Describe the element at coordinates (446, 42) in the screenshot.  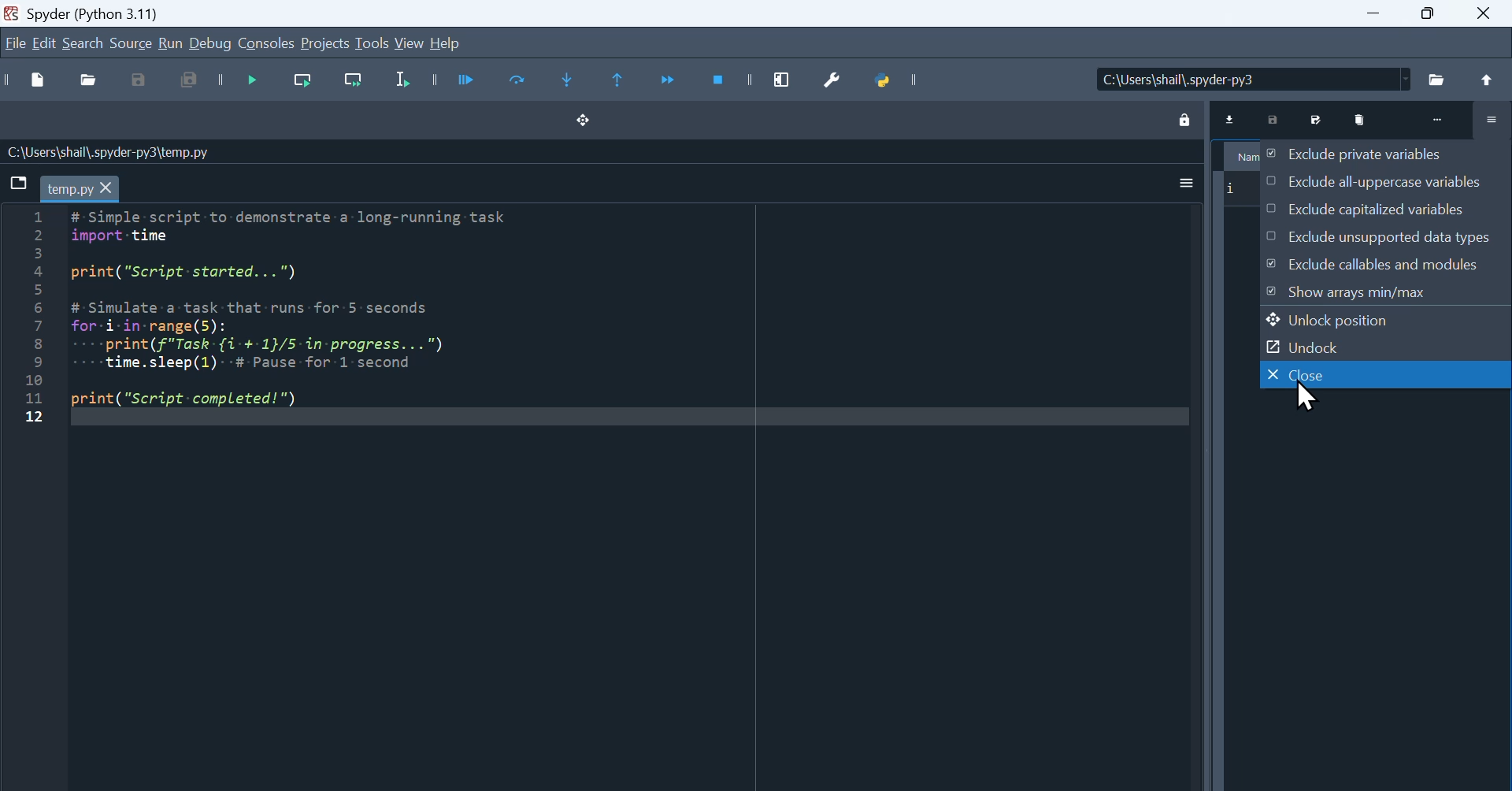
I see `help` at that location.